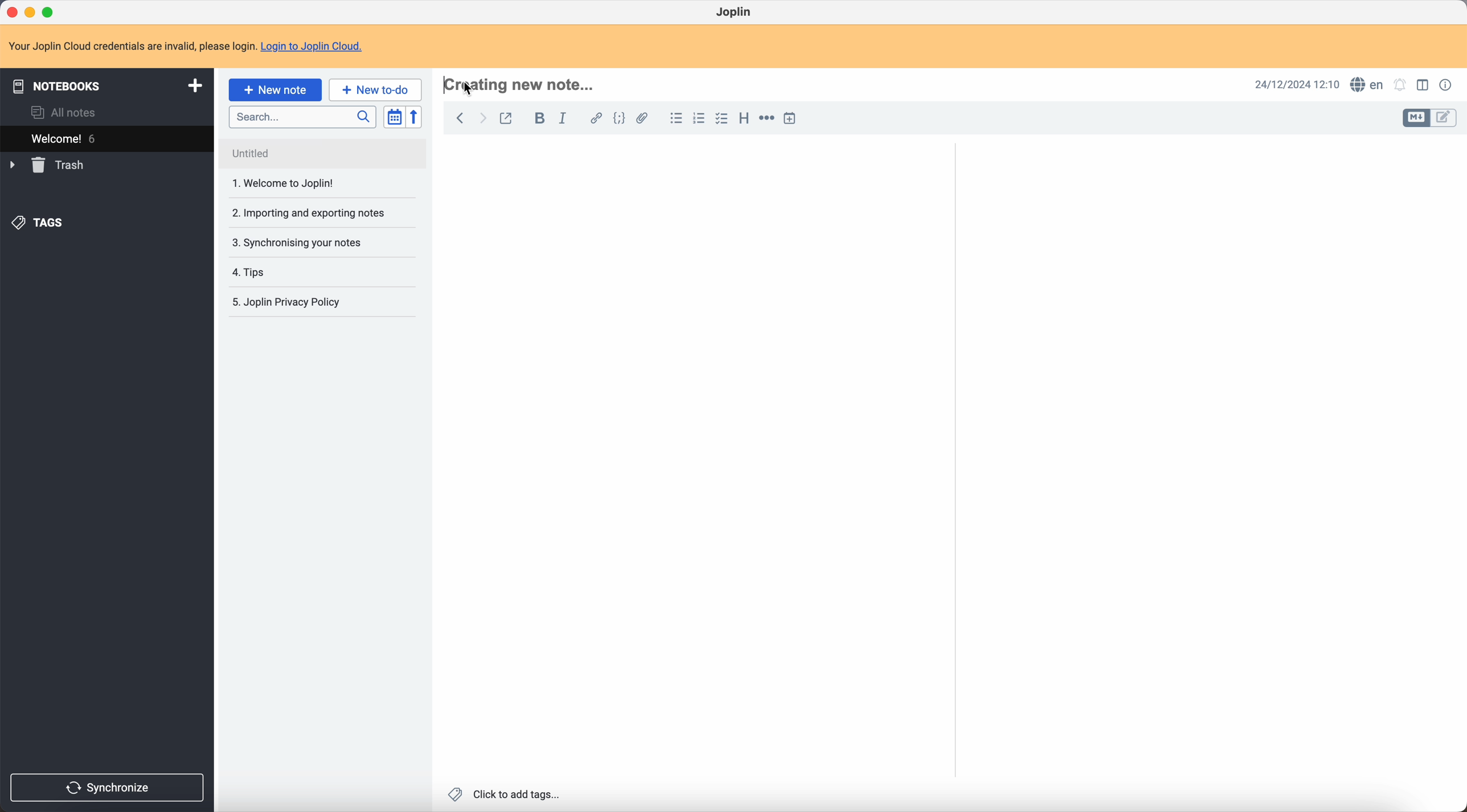  Describe the element at coordinates (743, 118) in the screenshot. I see `heading` at that location.